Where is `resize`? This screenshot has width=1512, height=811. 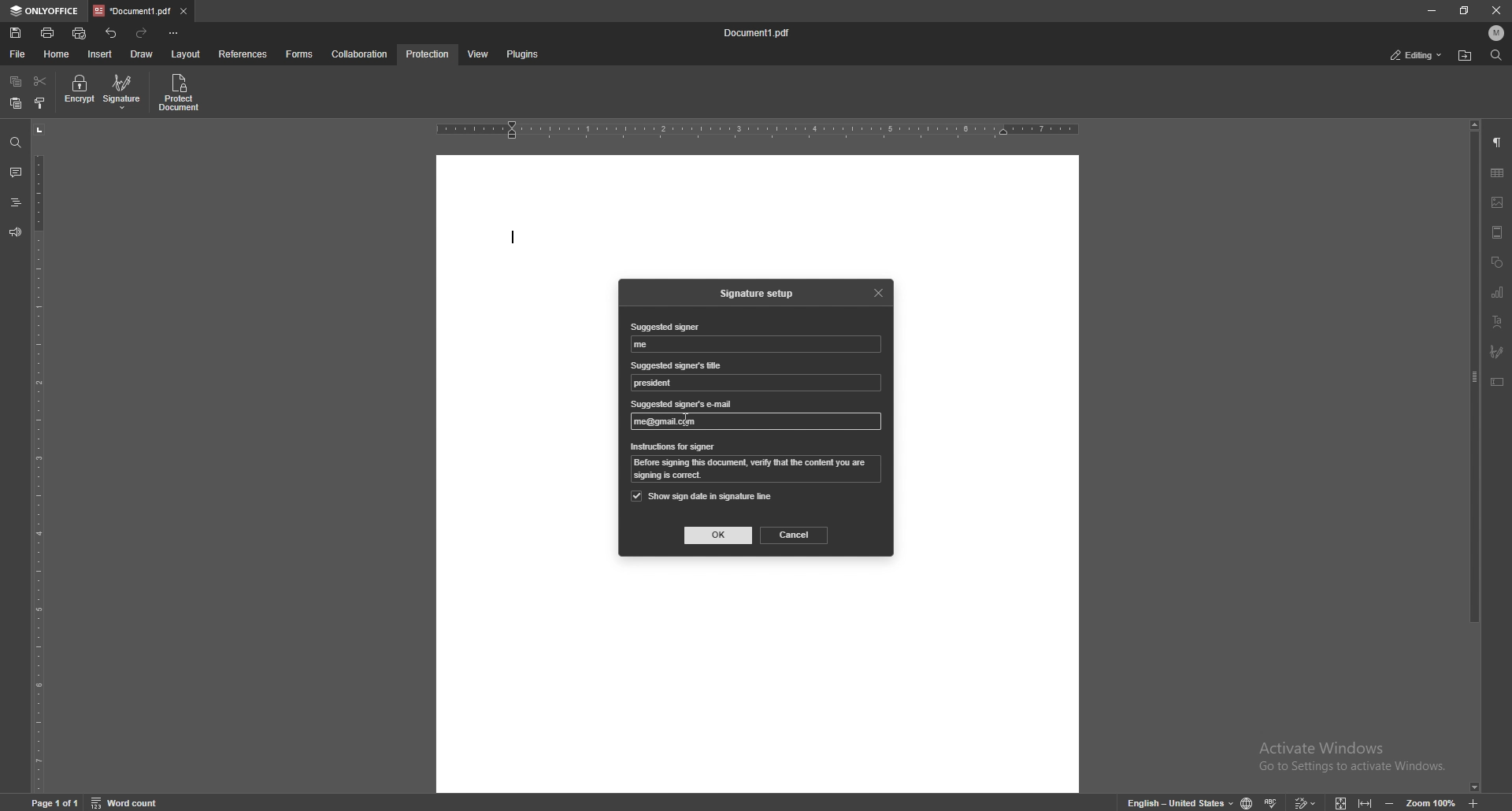 resize is located at coordinates (1466, 10).